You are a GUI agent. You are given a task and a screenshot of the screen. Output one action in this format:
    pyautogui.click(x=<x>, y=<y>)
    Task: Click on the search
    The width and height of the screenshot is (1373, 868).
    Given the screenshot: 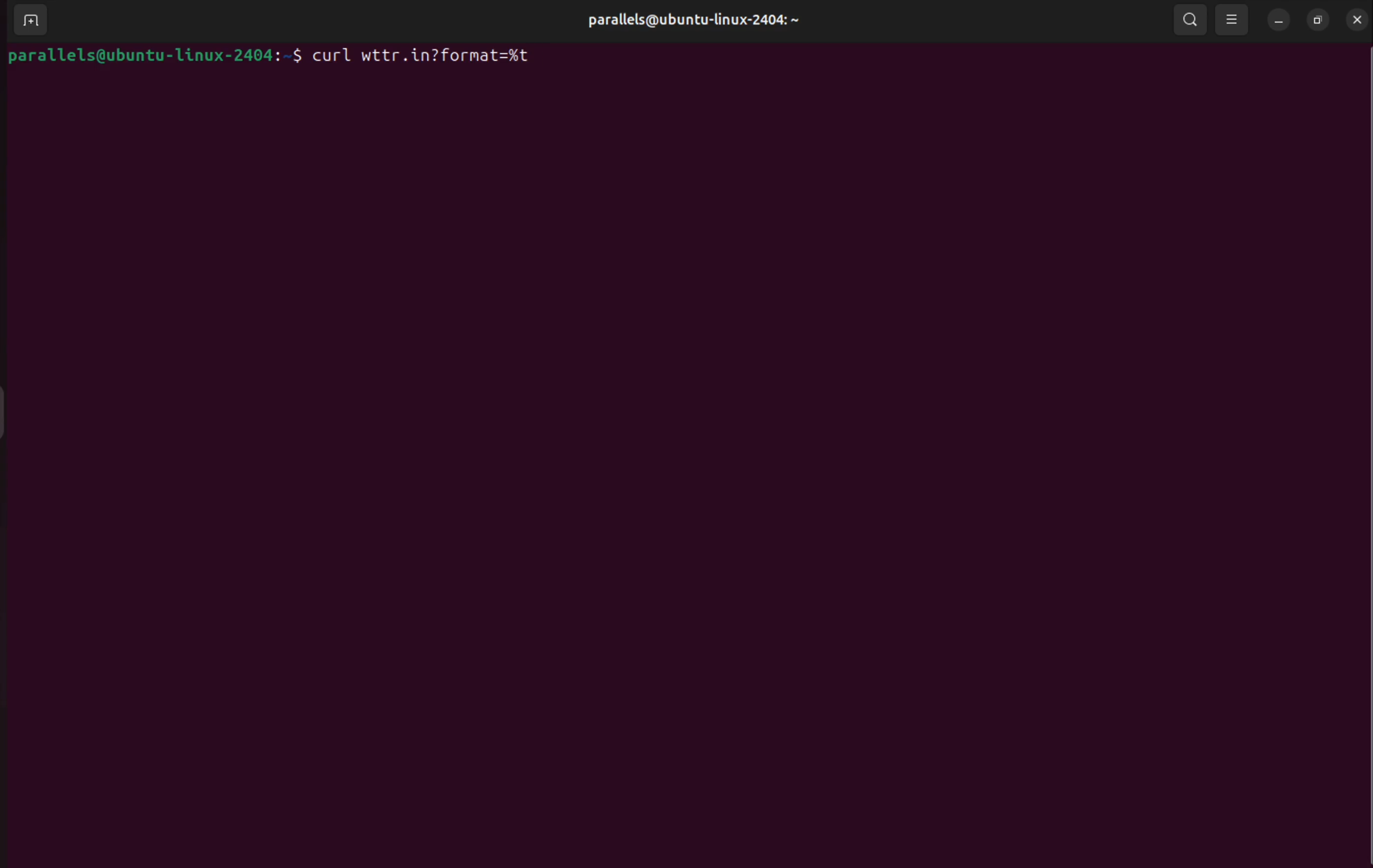 What is the action you would take?
    pyautogui.click(x=1191, y=22)
    